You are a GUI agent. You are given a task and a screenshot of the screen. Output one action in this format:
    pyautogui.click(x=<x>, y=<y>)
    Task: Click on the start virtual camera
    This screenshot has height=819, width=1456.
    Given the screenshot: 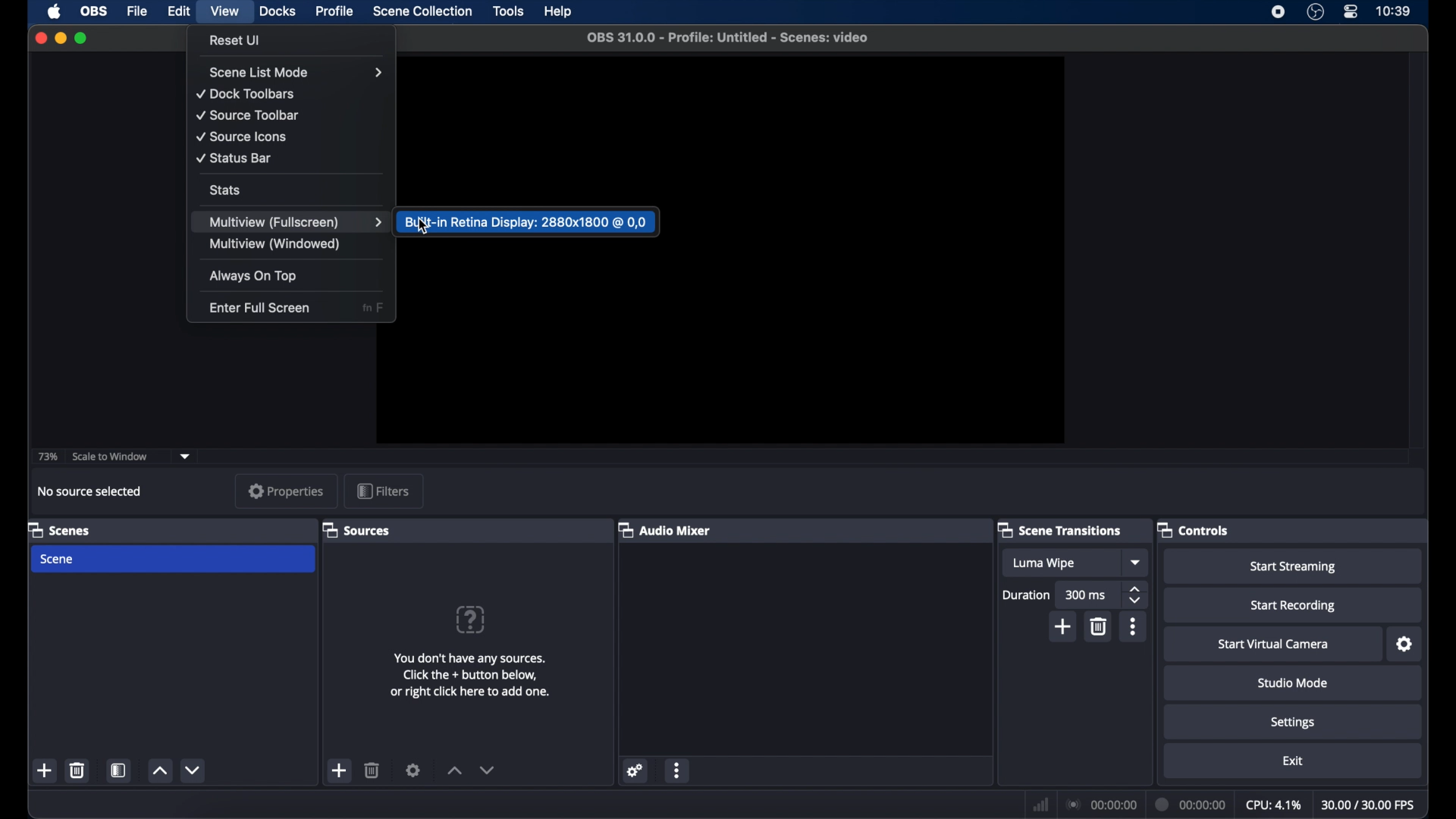 What is the action you would take?
    pyautogui.click(x=1271, y=643)
    